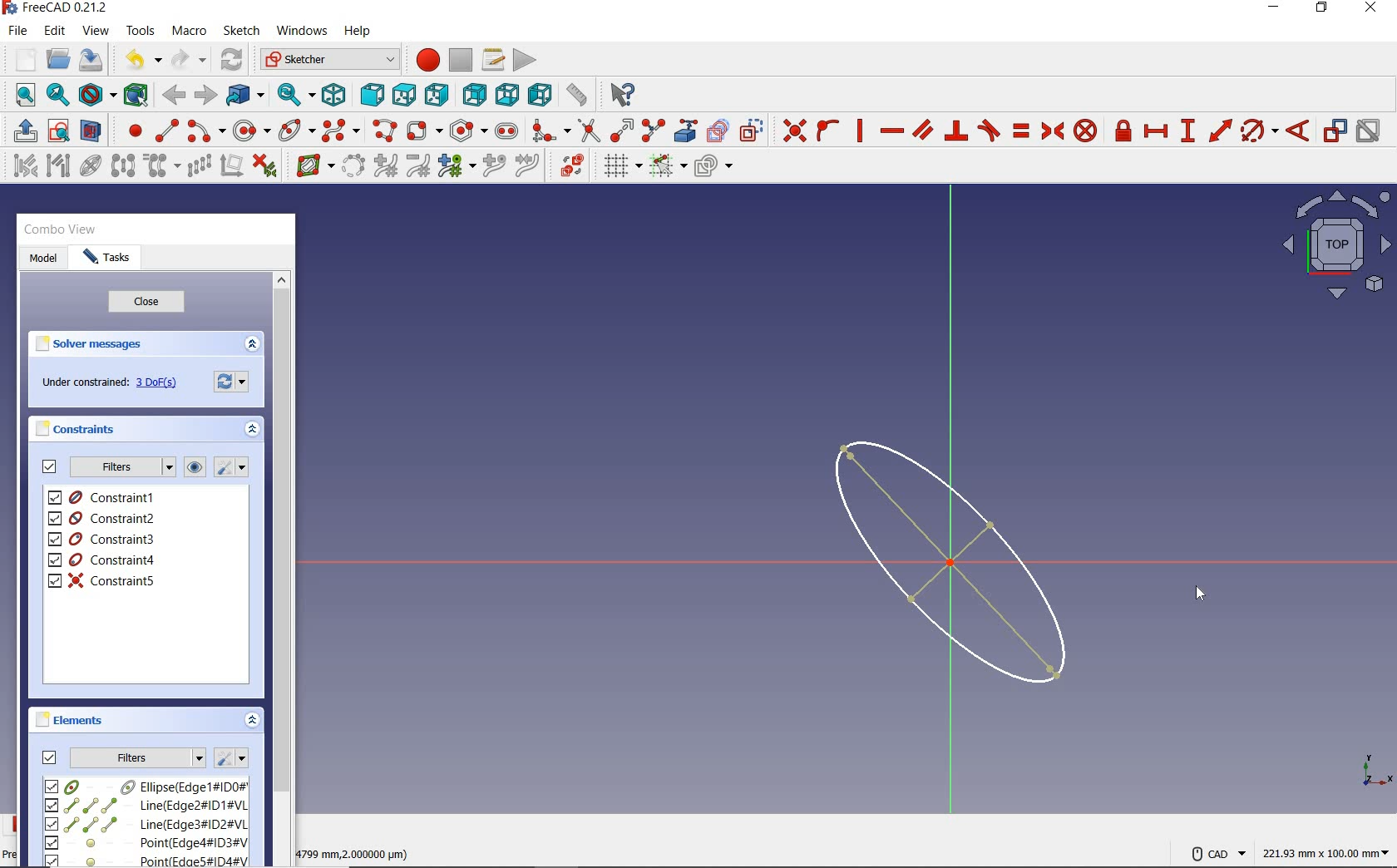 Image resolution: width=1397 pixels, height=868 pixels. I want to click on split edge, so click(654, 130).